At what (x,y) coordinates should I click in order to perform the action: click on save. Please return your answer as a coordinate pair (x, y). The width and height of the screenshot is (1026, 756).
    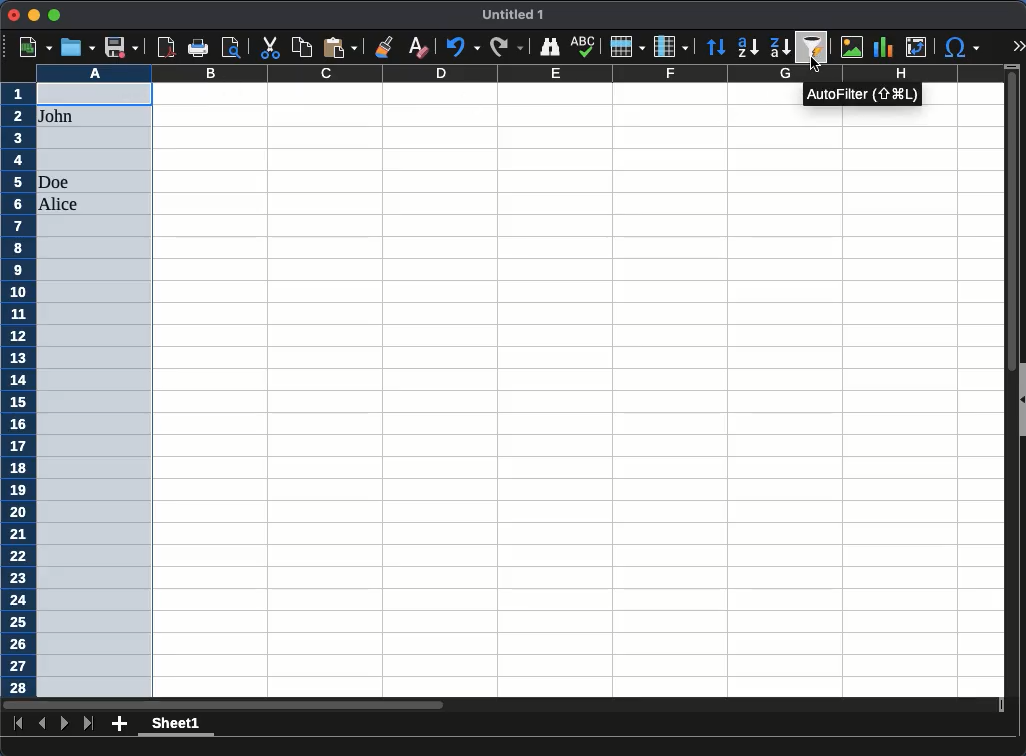
    Looking at the image, I should click on (120, 47).